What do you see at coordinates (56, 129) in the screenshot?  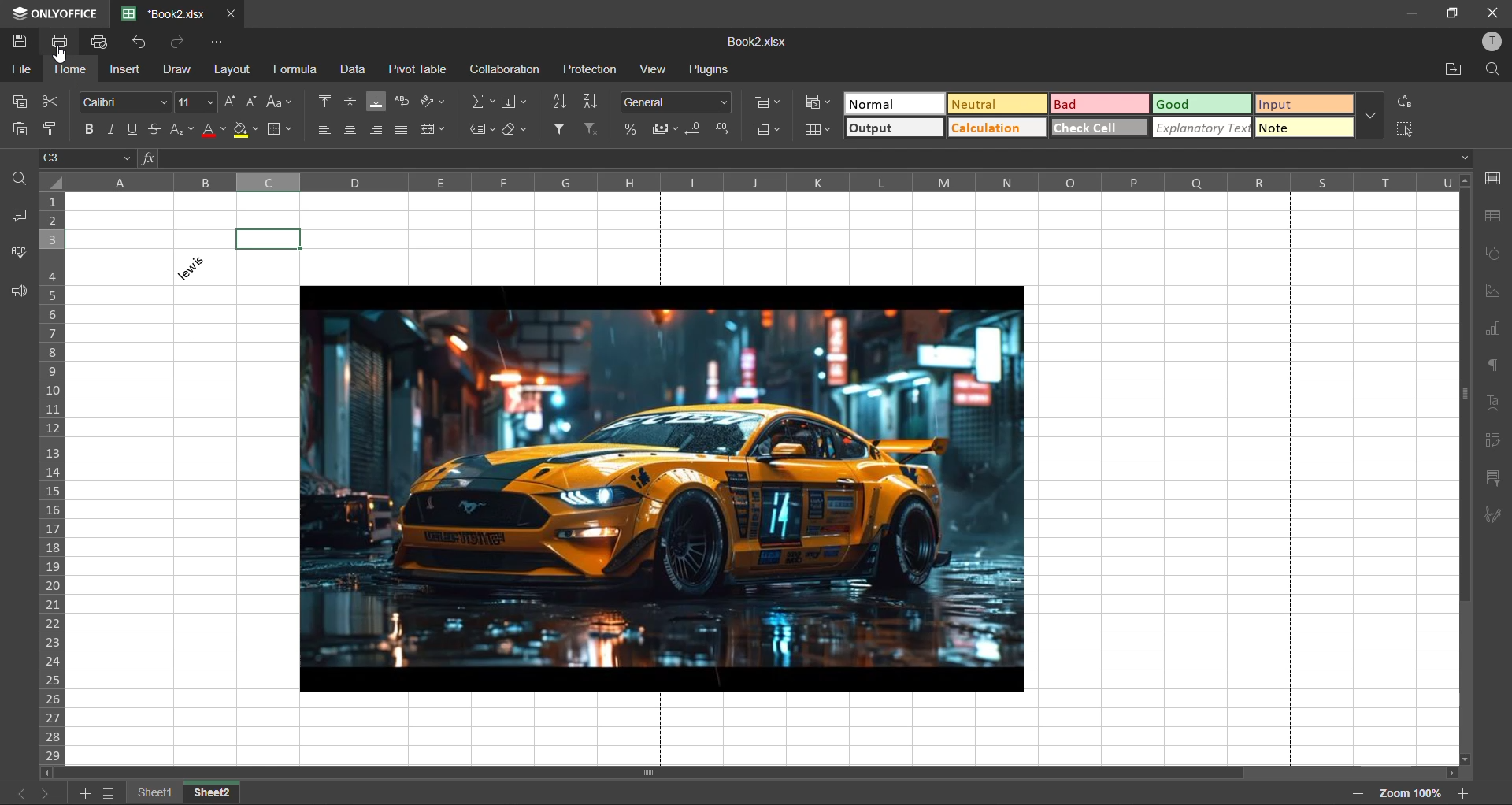 I see `copy style` at bounding box center [56, 129].